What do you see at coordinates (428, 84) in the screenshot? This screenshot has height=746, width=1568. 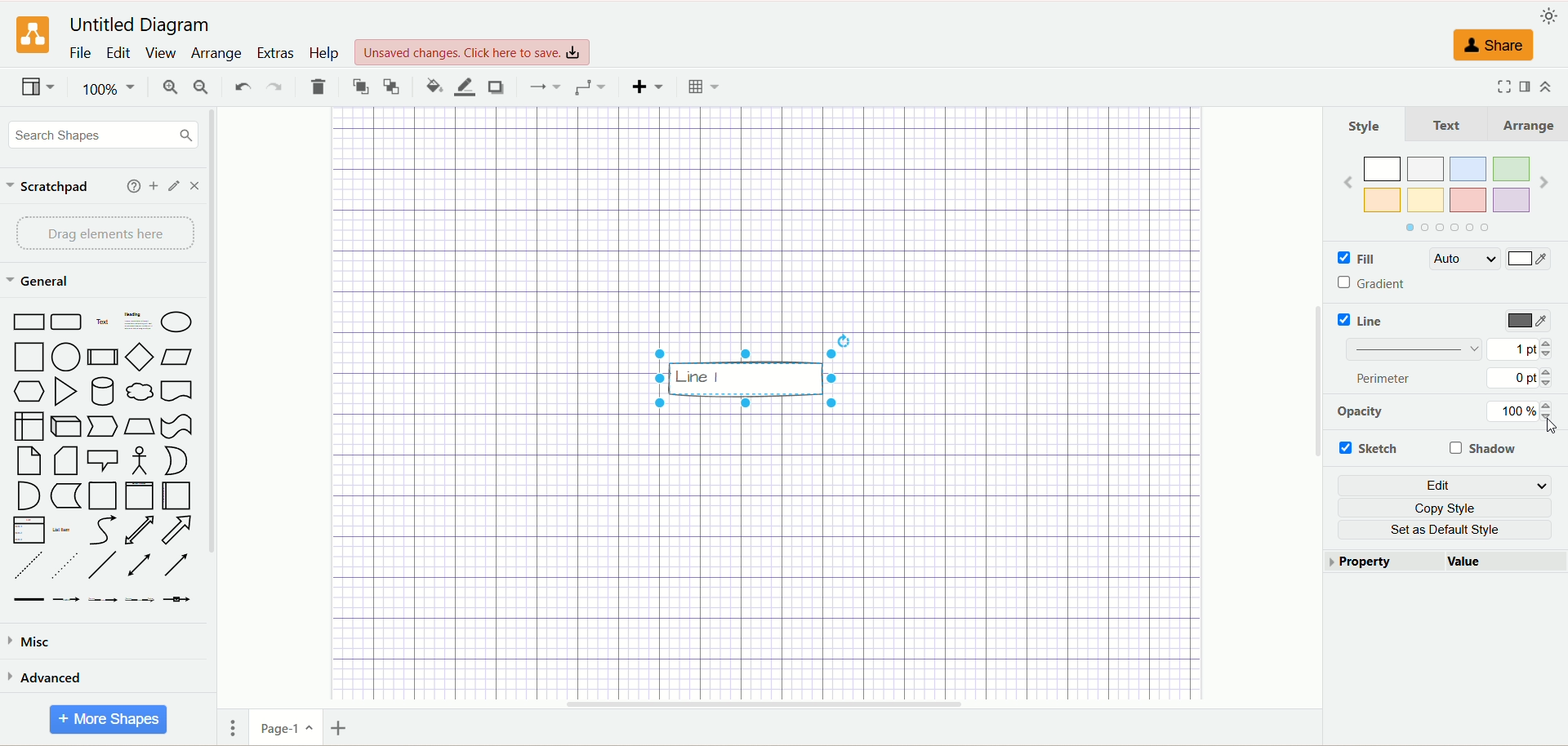 I see `fill color` at bounding box center [428, 84].